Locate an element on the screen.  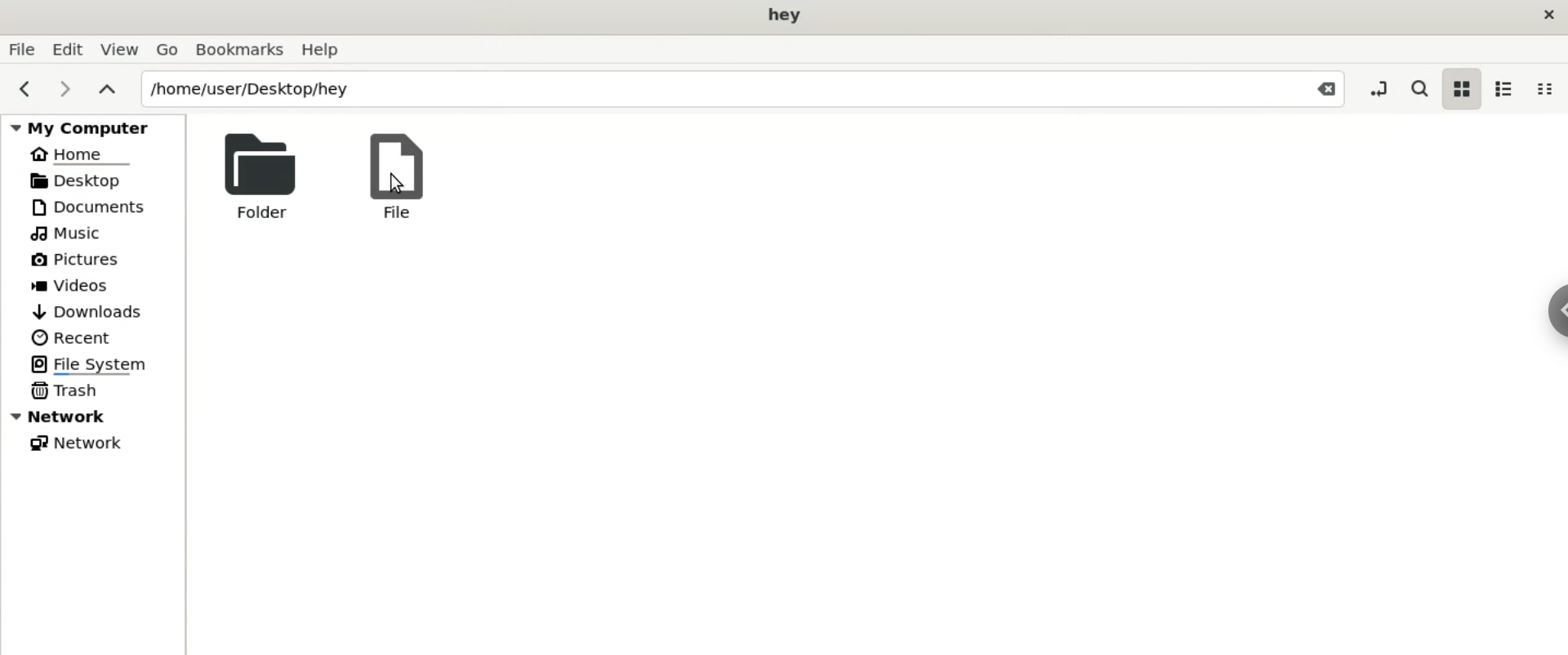
my computer is located at coordinates (96, 124).